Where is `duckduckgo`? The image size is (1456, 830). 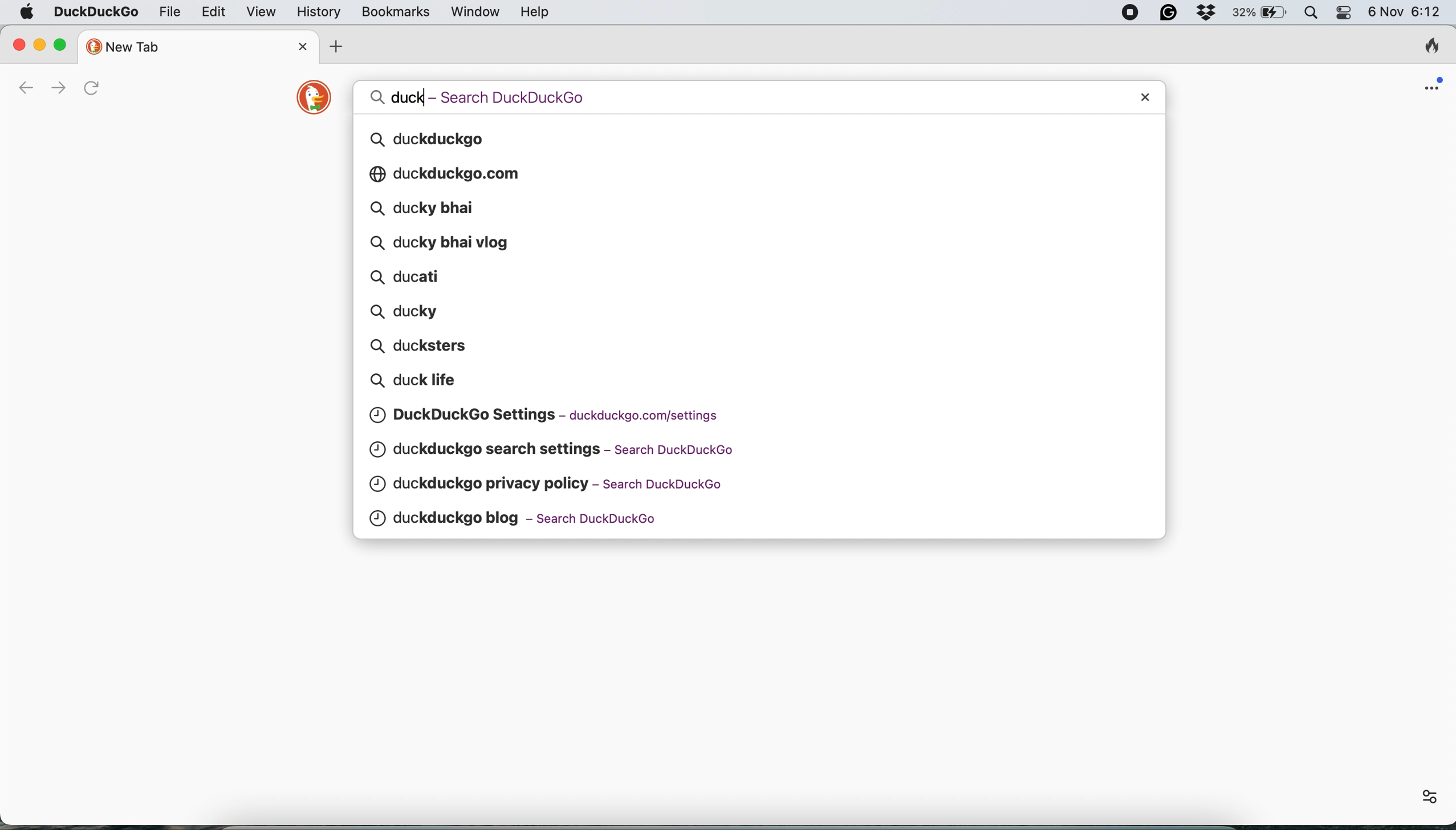 duckduckgo is located at coordinates (95, 13).